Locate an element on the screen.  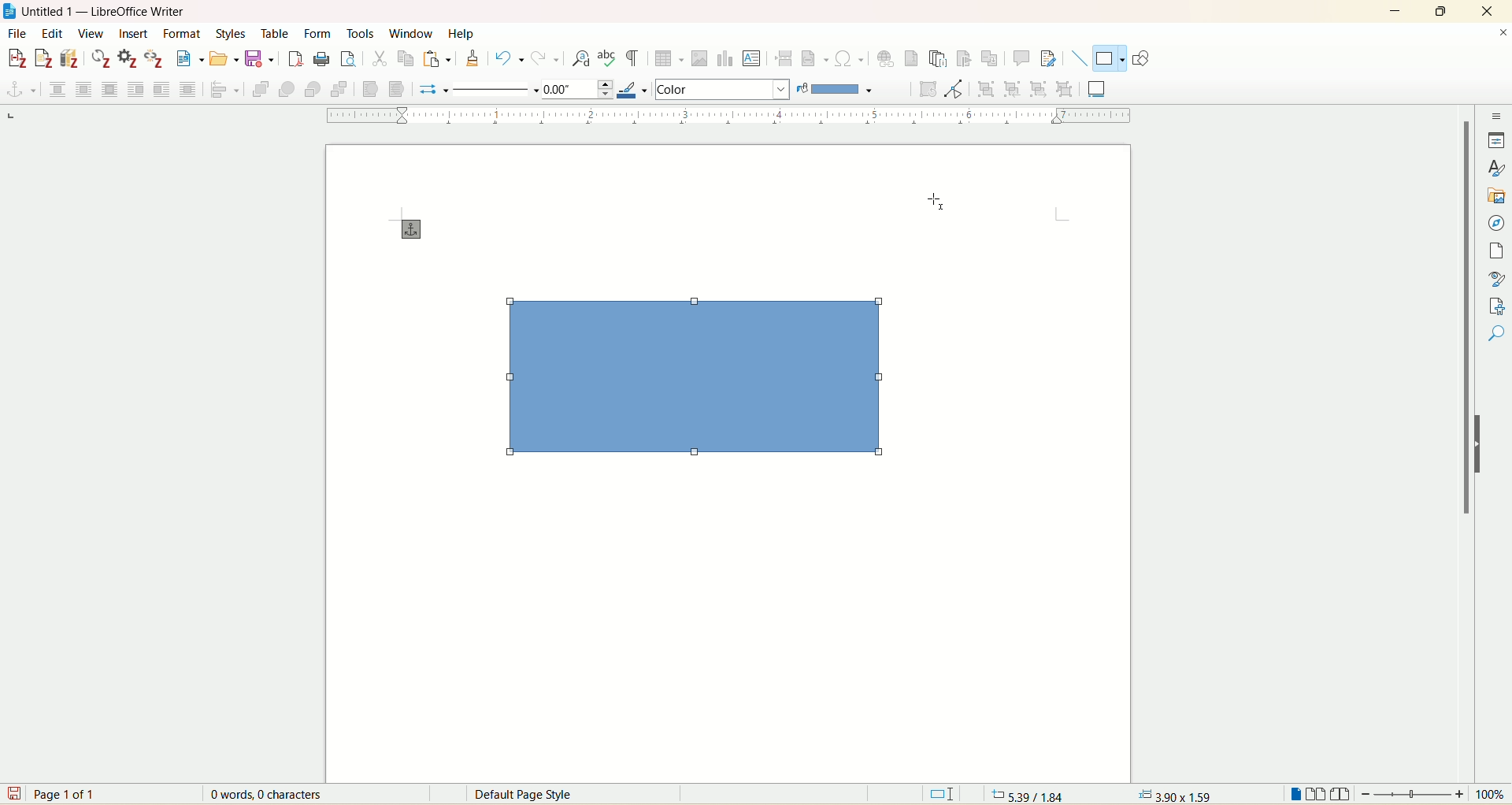
document name is located at coordinates (112, 12).